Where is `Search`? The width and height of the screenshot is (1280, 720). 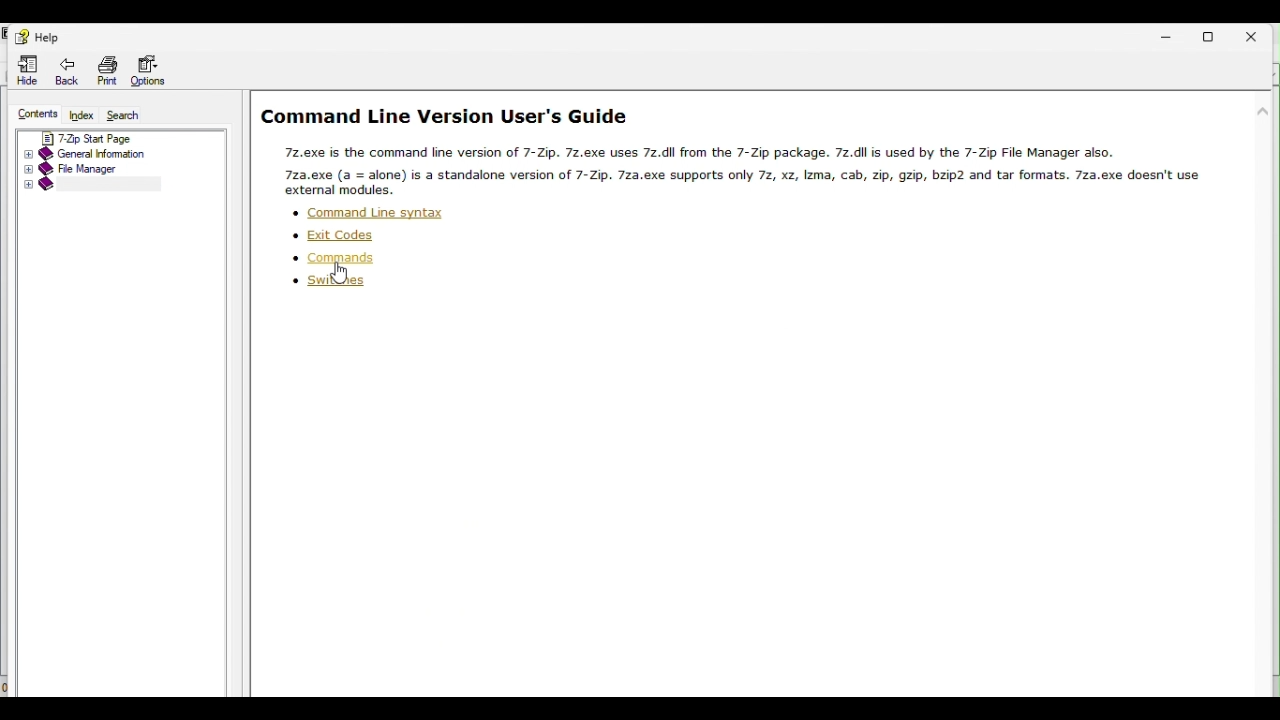
Search is located at coordinates (130, 114).